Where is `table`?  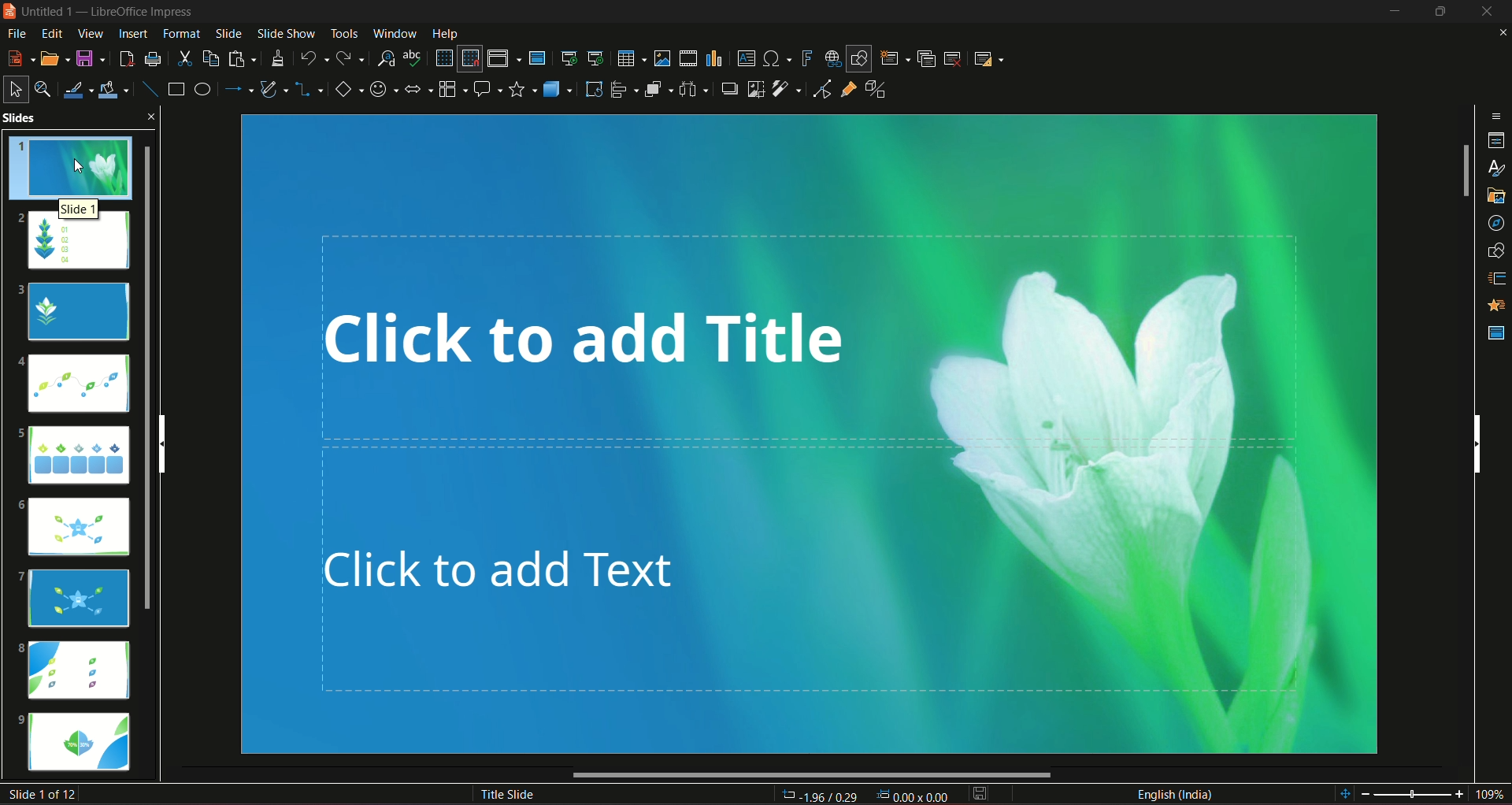
table is located at coordinates (629, 57).